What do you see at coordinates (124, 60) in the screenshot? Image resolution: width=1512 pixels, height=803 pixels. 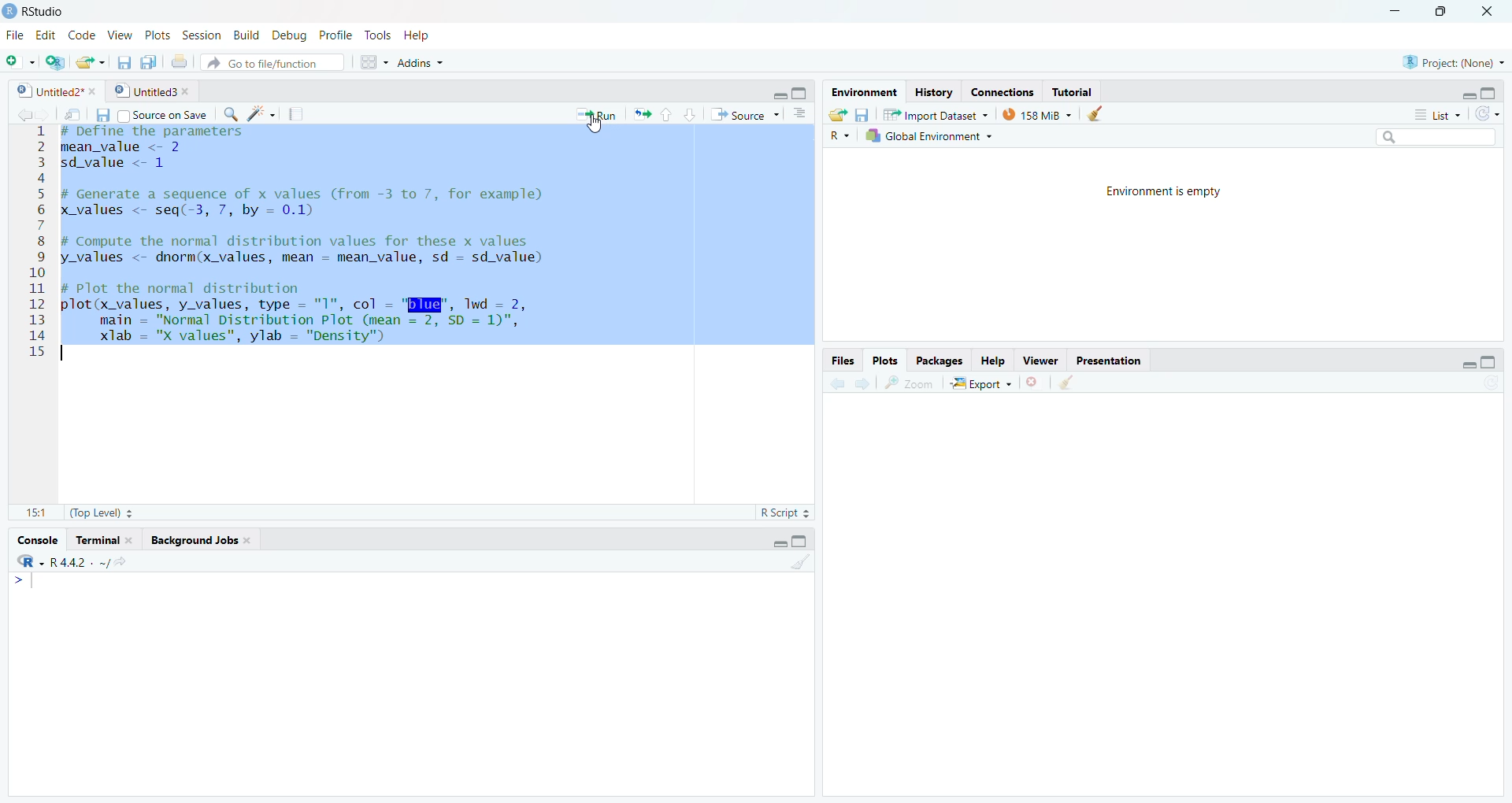 I see `save current file` at bounding box center [124, 60].